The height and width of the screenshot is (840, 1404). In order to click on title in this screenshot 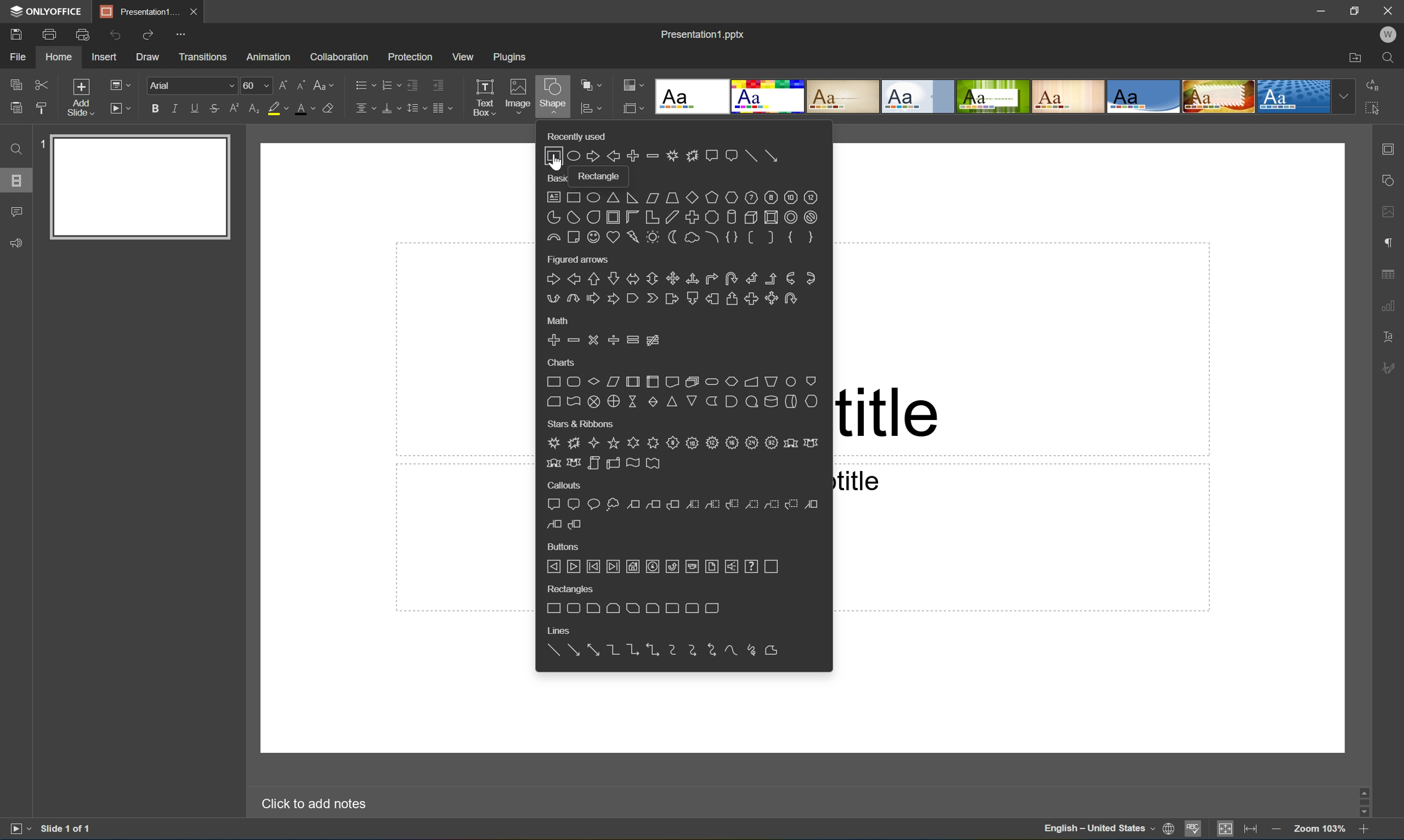, I will do `click(859, 483)`.